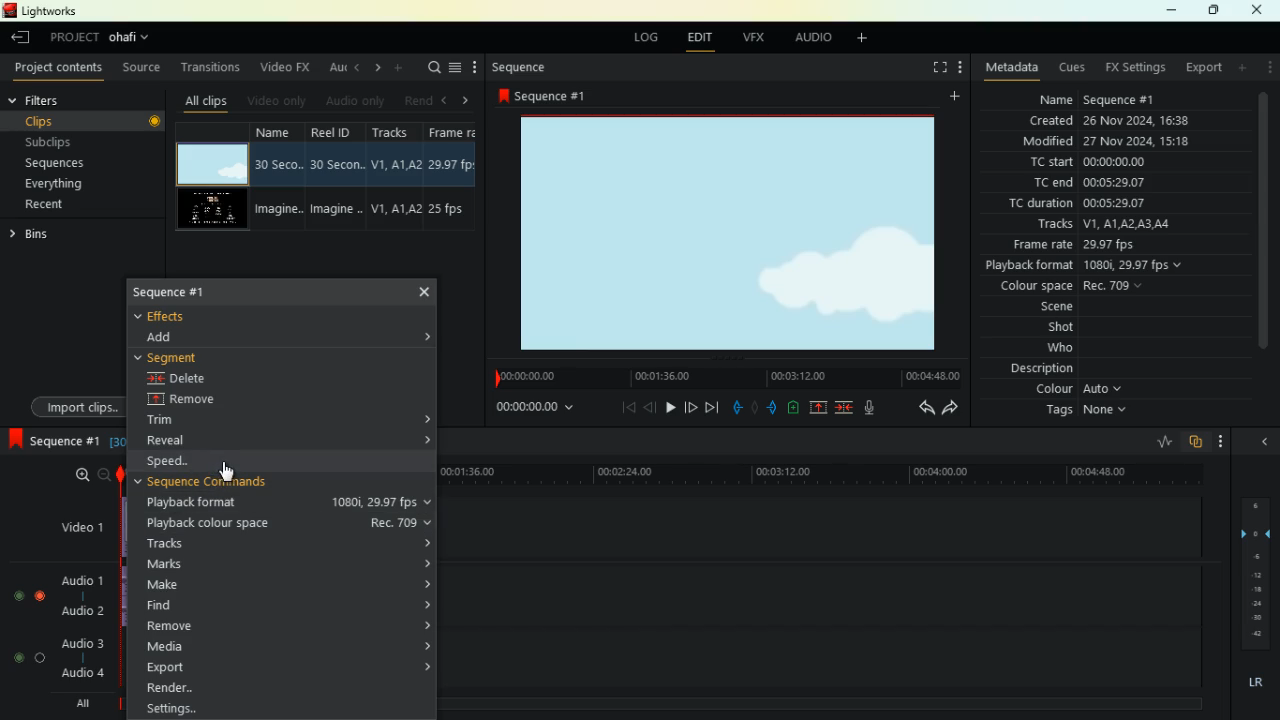 Image resolution: width=1280 pixels, height=720 pixels. Describe the element at coordinates (1086, 205) in the screenshot. I see `tc duration` at that location.